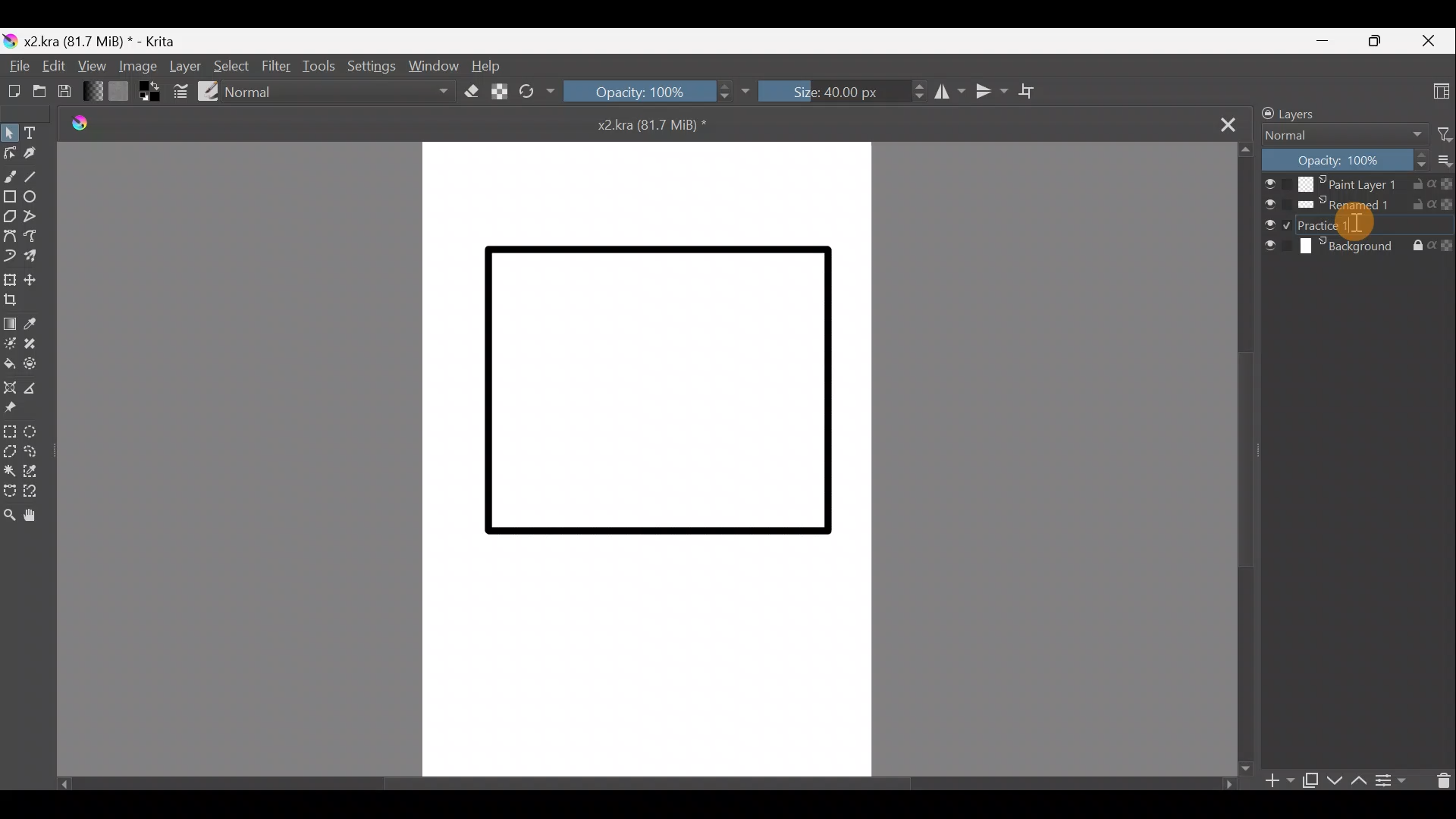  What do you see at coordinates (39, 388) in the screenshot?
I see `Measure the distance between two points` at bounding box center [39, 388].